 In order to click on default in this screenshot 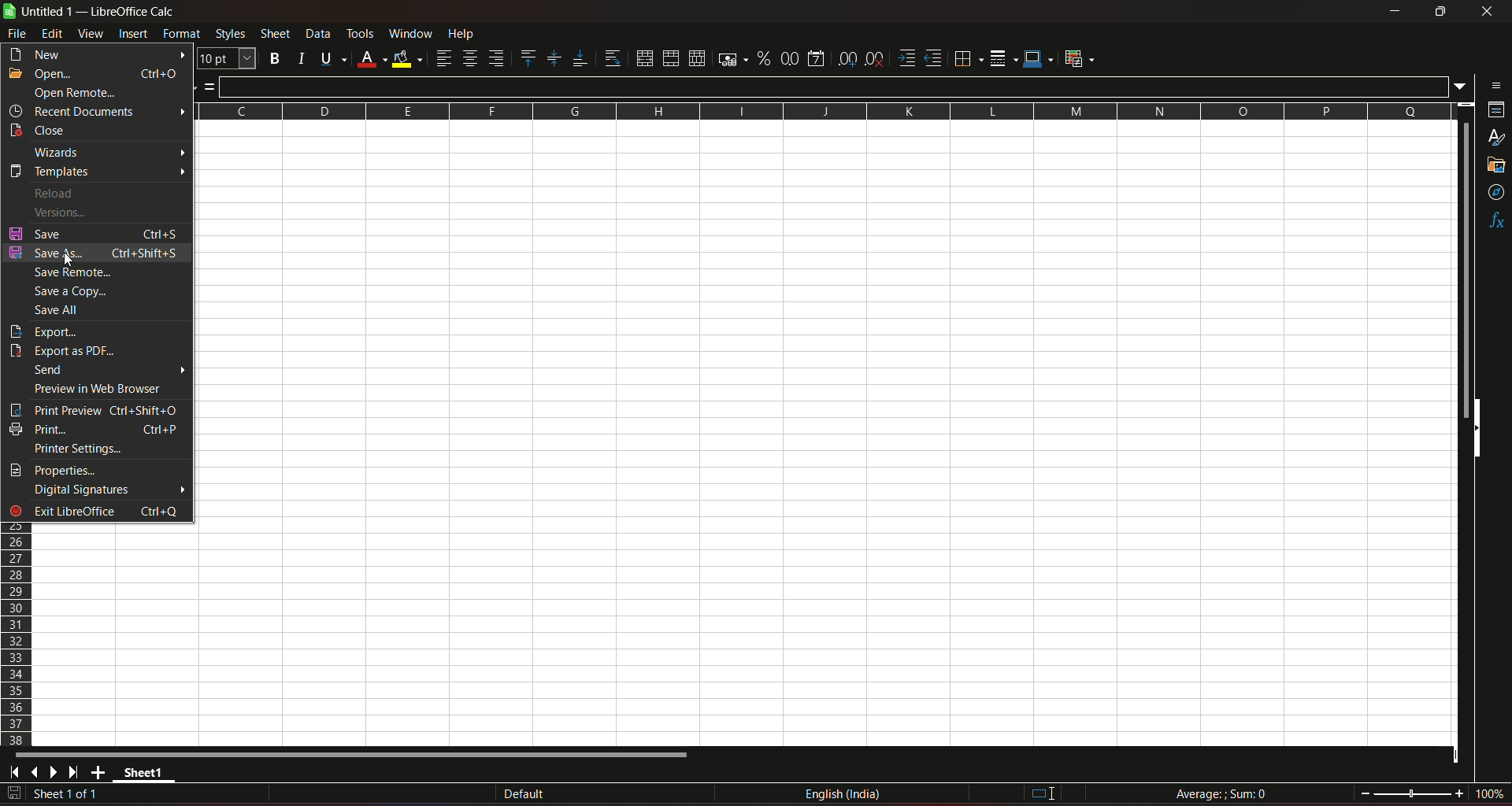, I will do `click(524, 793)`.